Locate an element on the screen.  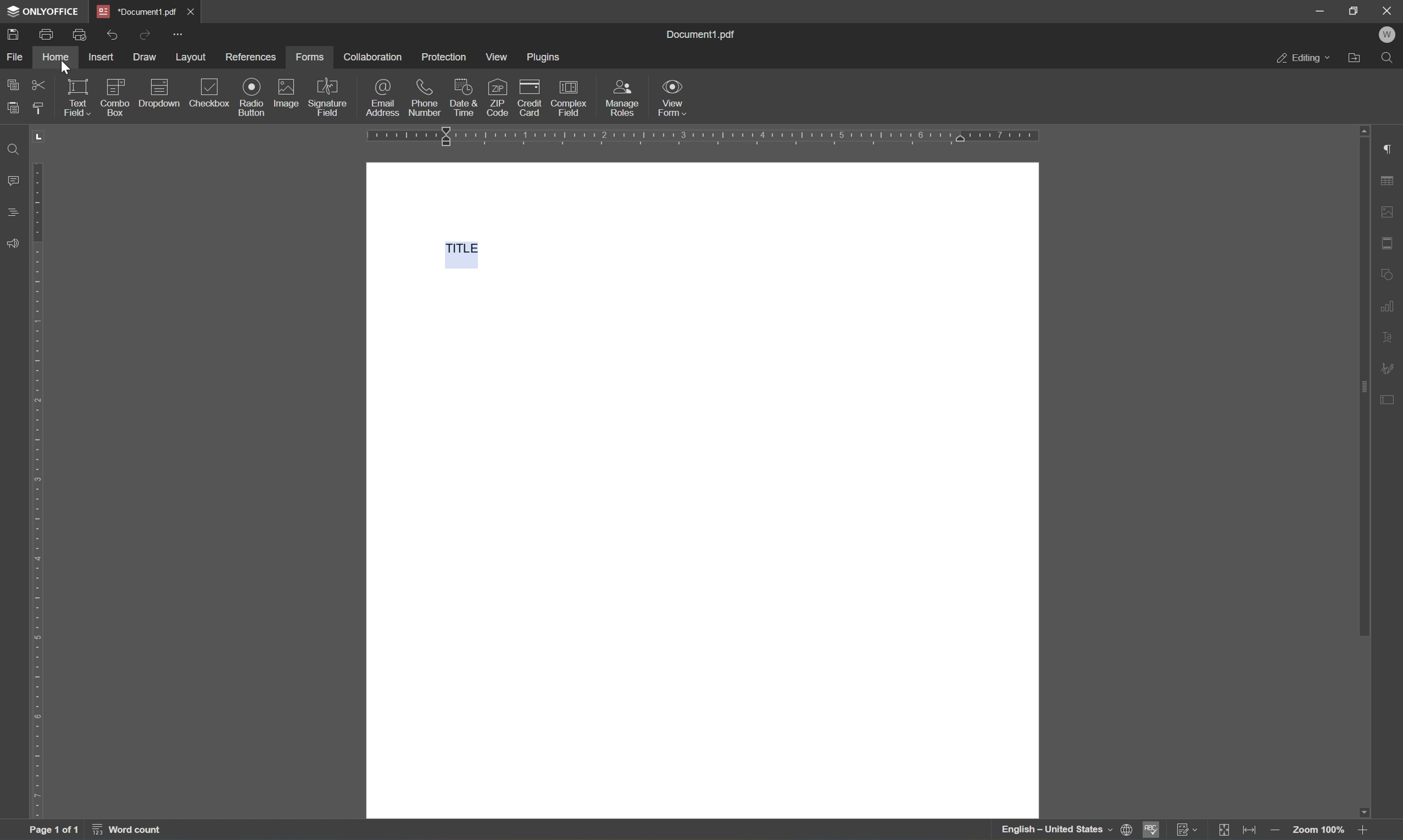
combo box is located at coordinates (117, 96).